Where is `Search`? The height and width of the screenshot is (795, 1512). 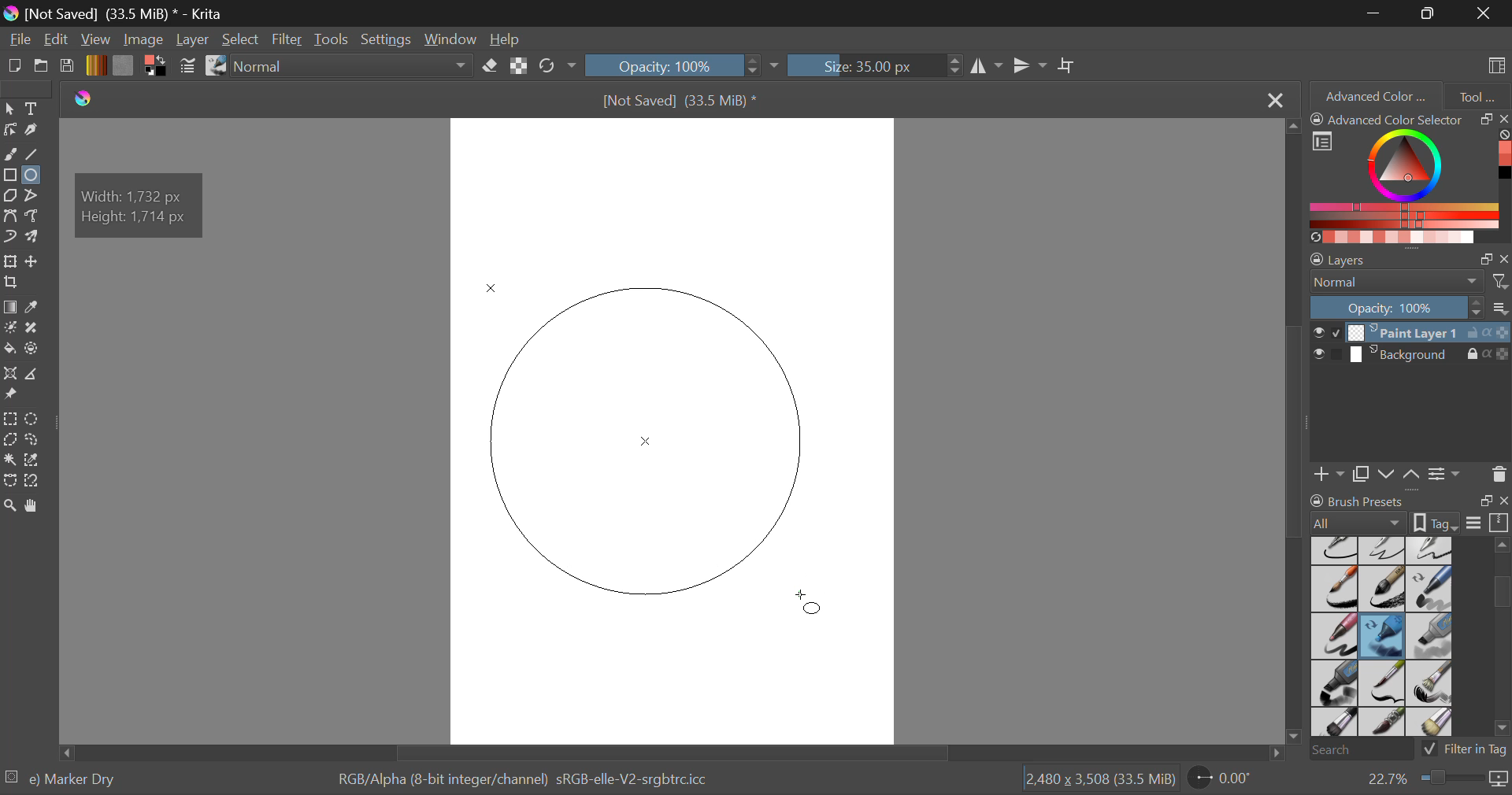
Search is located at coordinates (1357, 751).